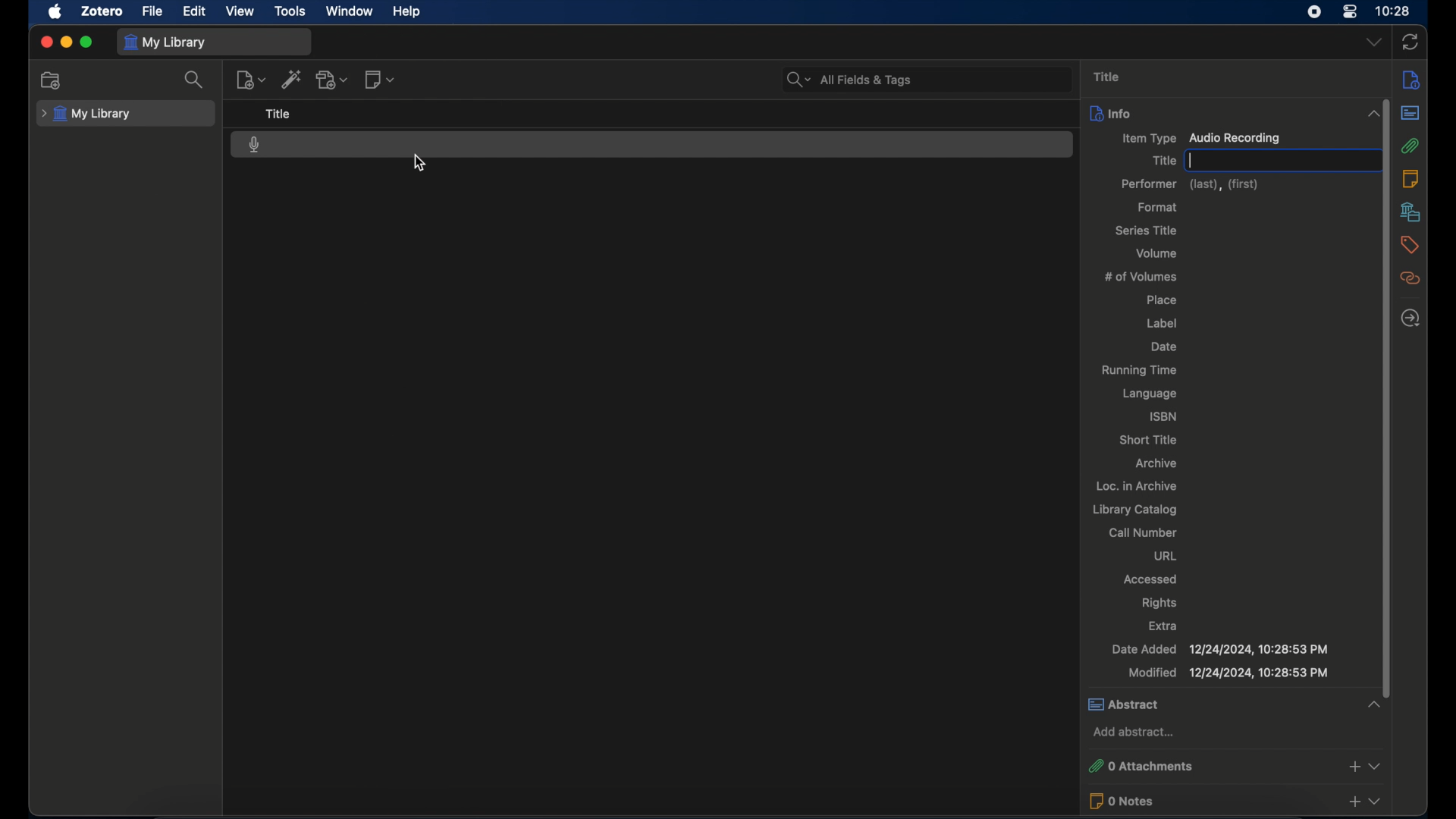 Image resolution: width=1456 pixels, height=819 pixels. I want to click on notes, so click(1411, 180).